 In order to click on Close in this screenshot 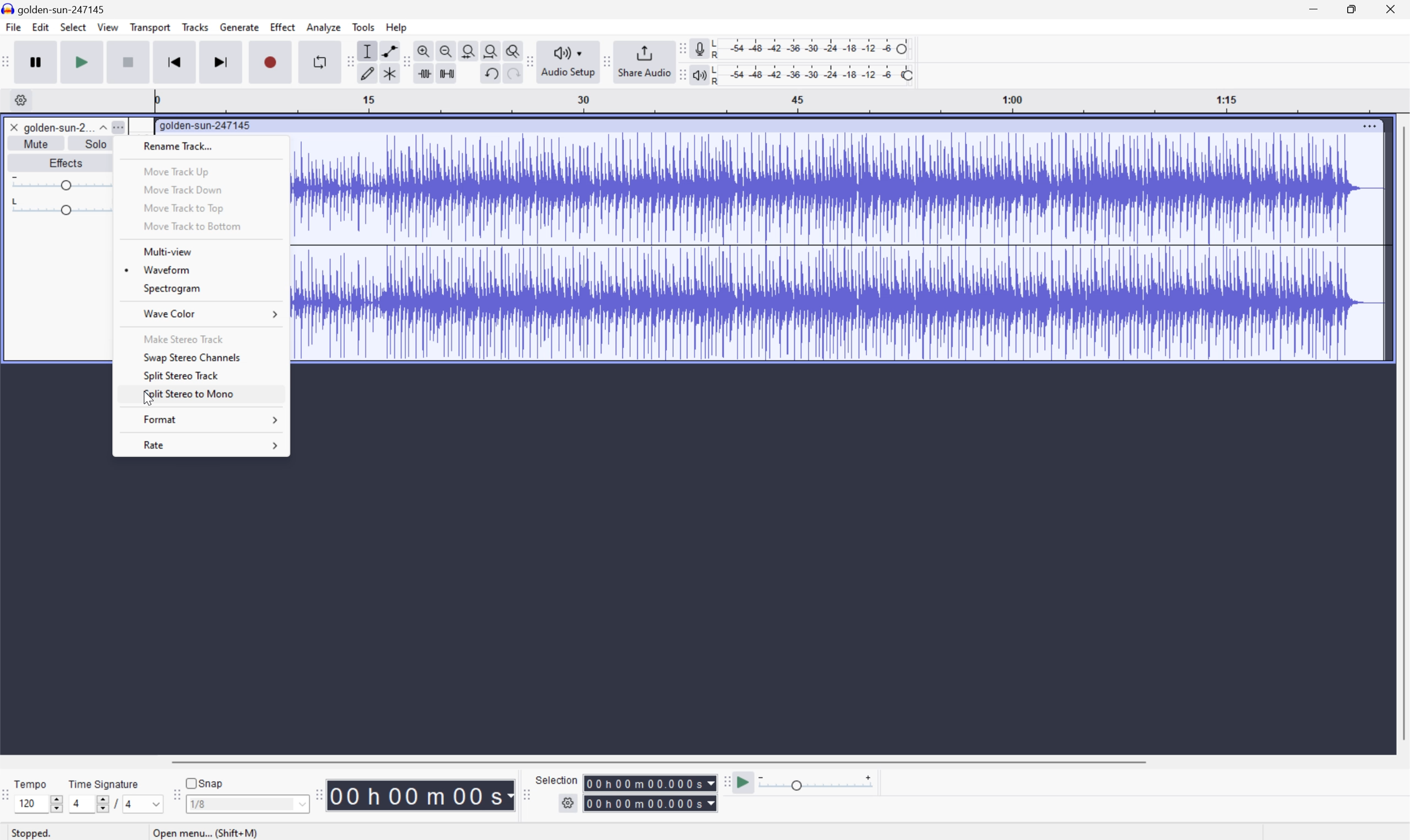, I will do `click(1396, 8)`.